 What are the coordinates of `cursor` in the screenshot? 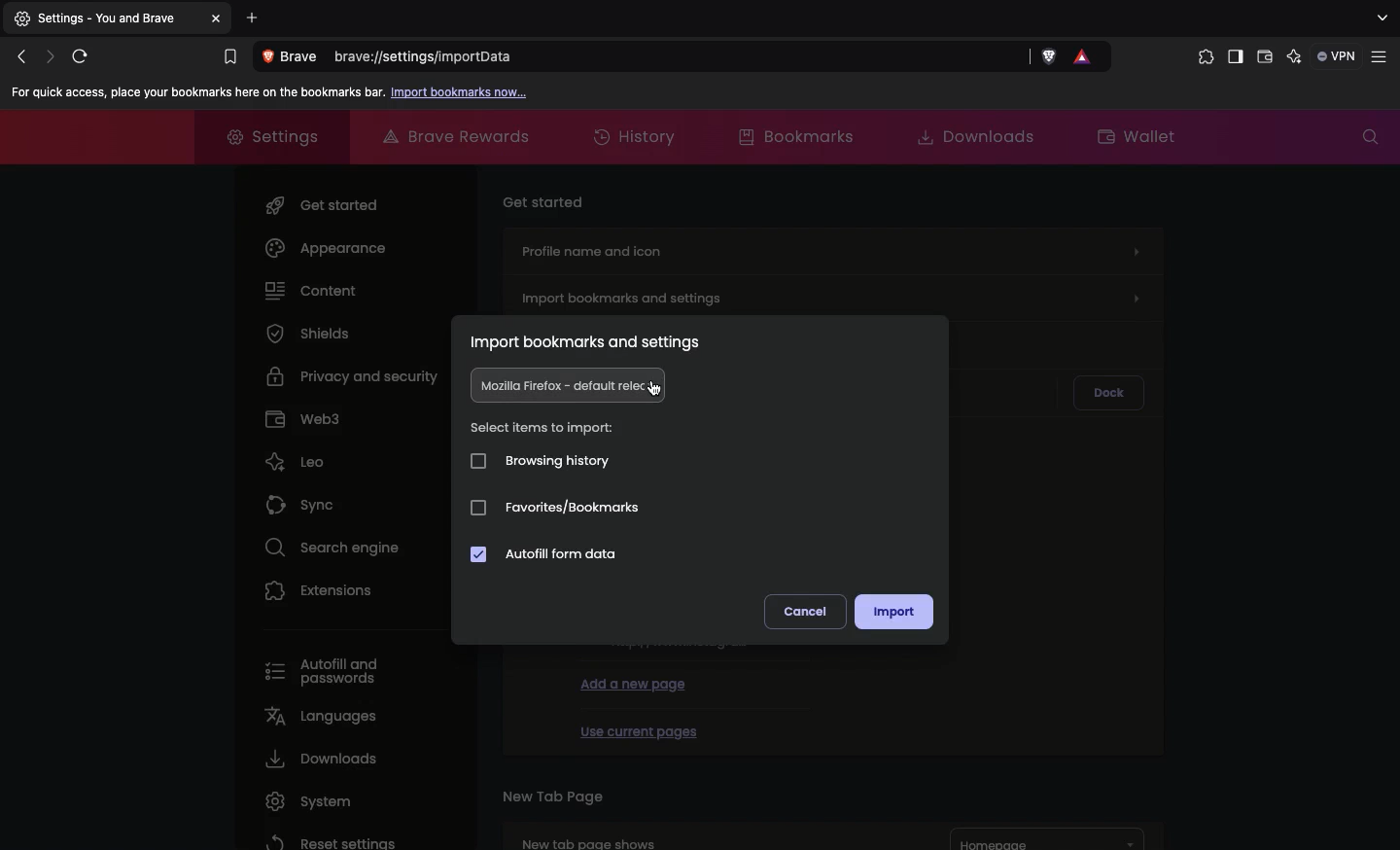 It's located at (654, 390).